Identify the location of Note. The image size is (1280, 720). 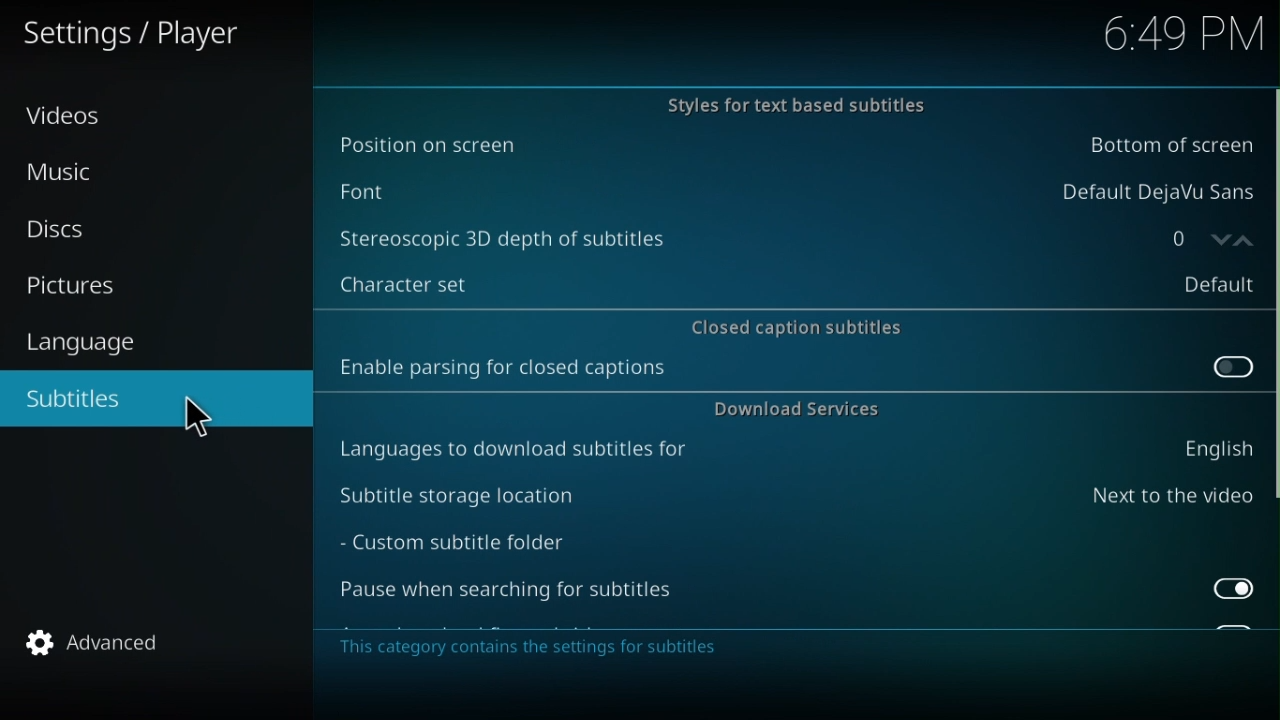
(552, 649).